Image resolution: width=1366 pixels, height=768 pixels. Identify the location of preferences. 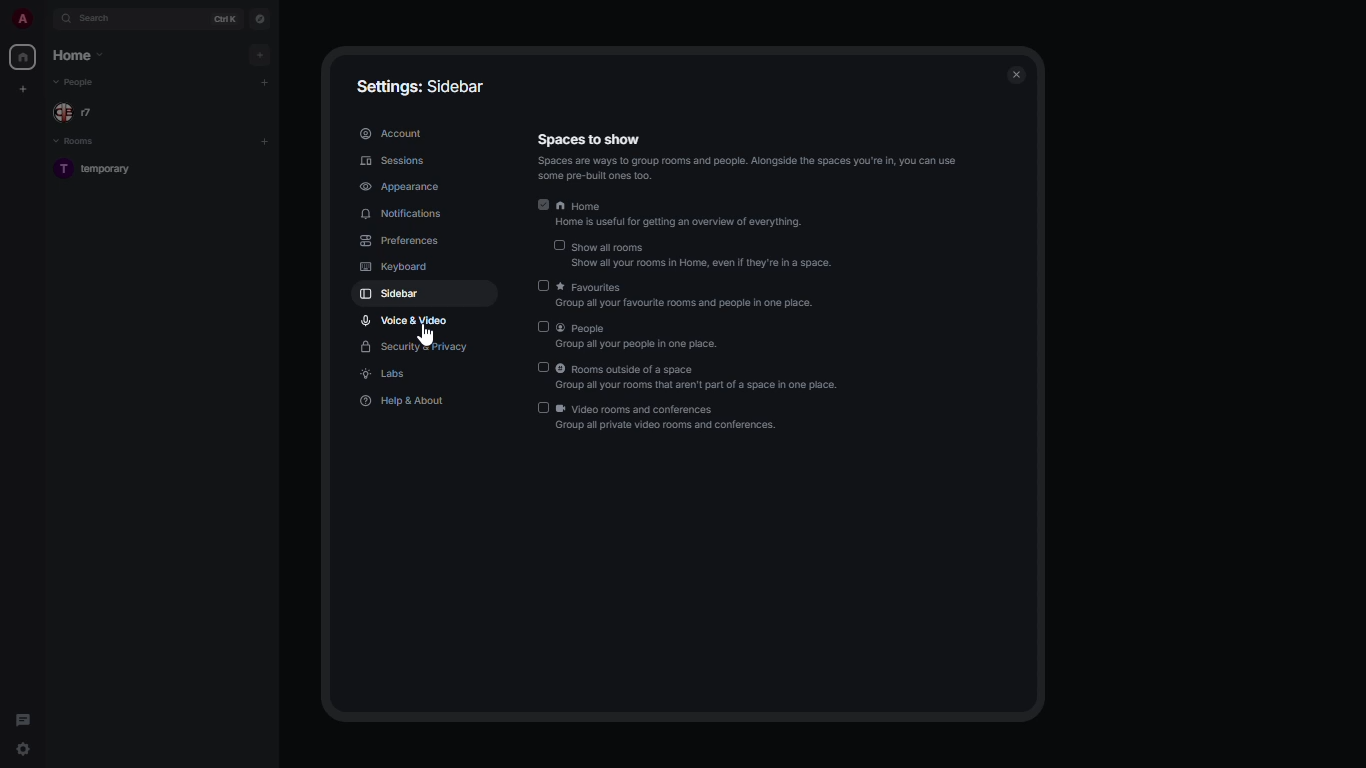
(402, 242).